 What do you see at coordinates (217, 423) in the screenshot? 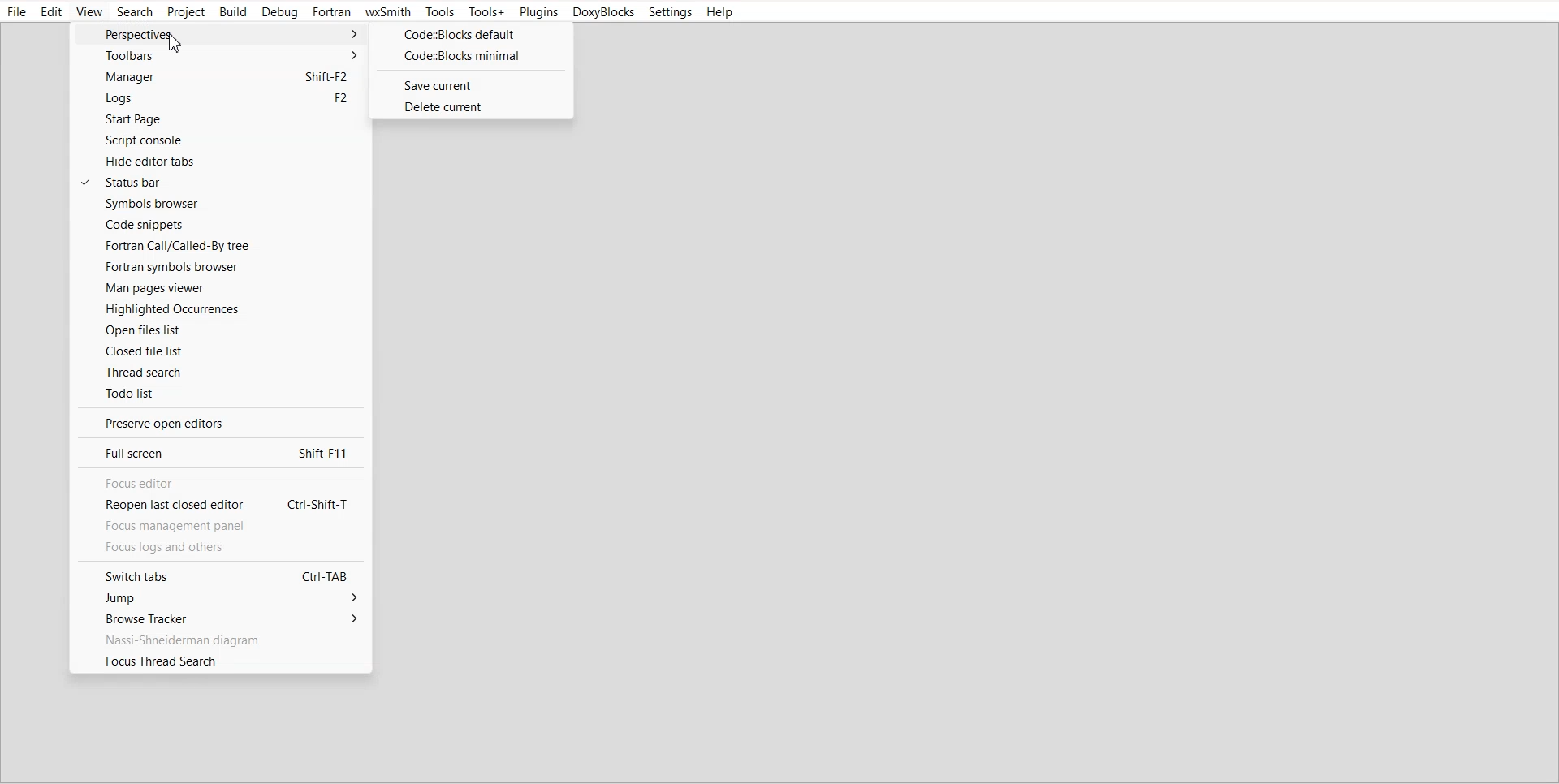
I see `Preserve open editors` at bounding box center [217, 423].